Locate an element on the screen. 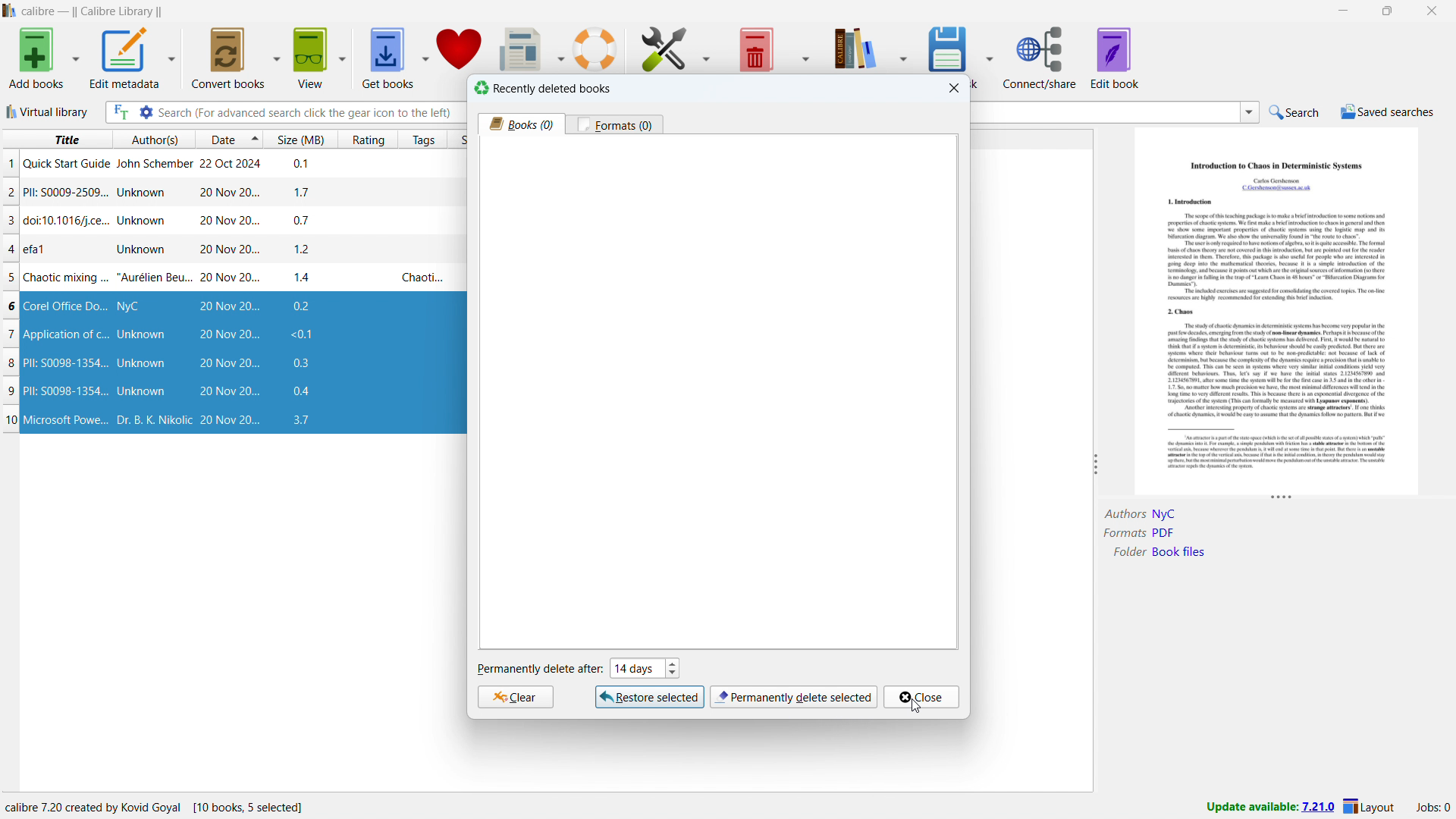  program information is located at coordinates (168, 806).